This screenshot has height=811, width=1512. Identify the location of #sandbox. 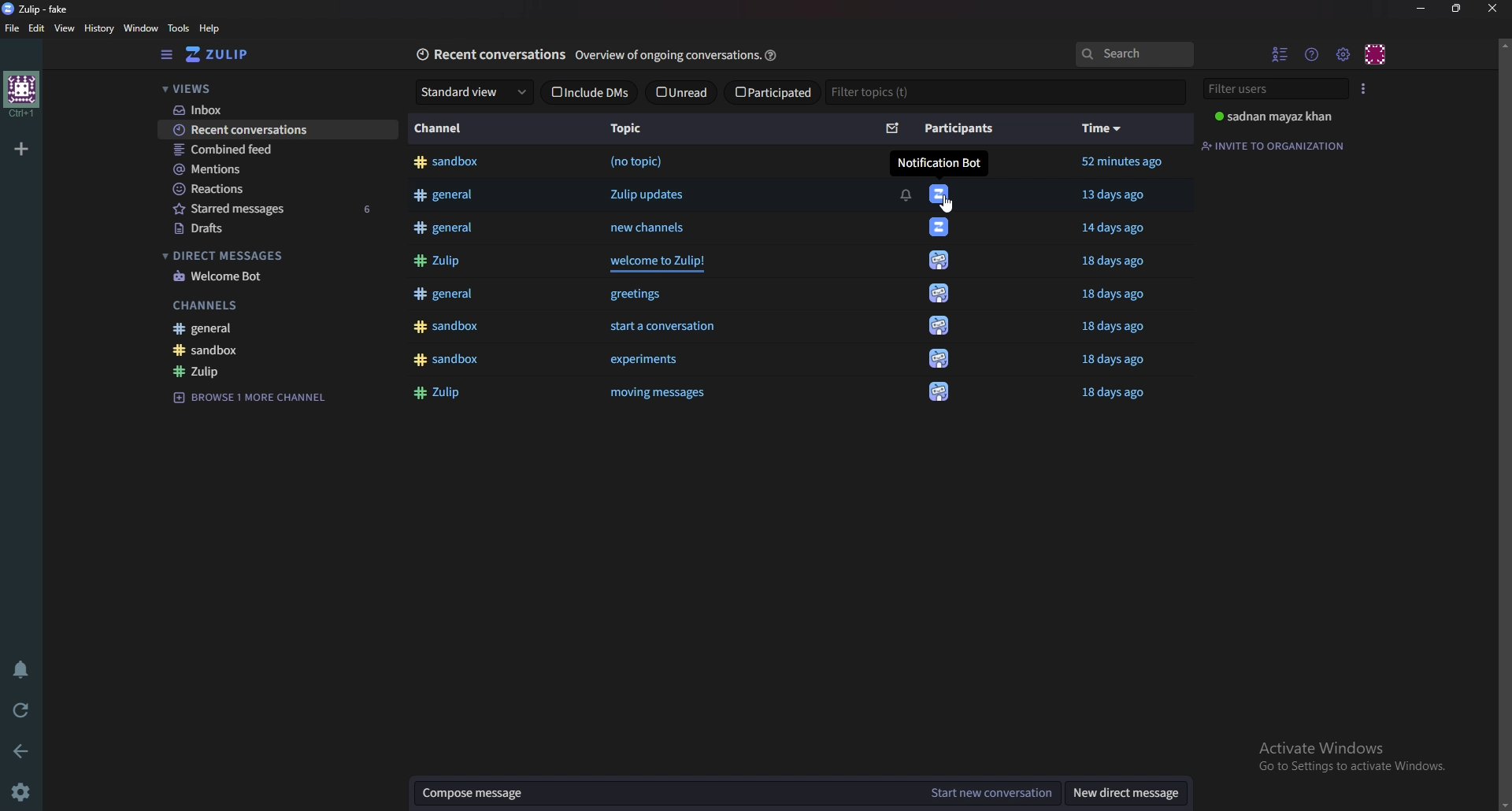
(446, 327).